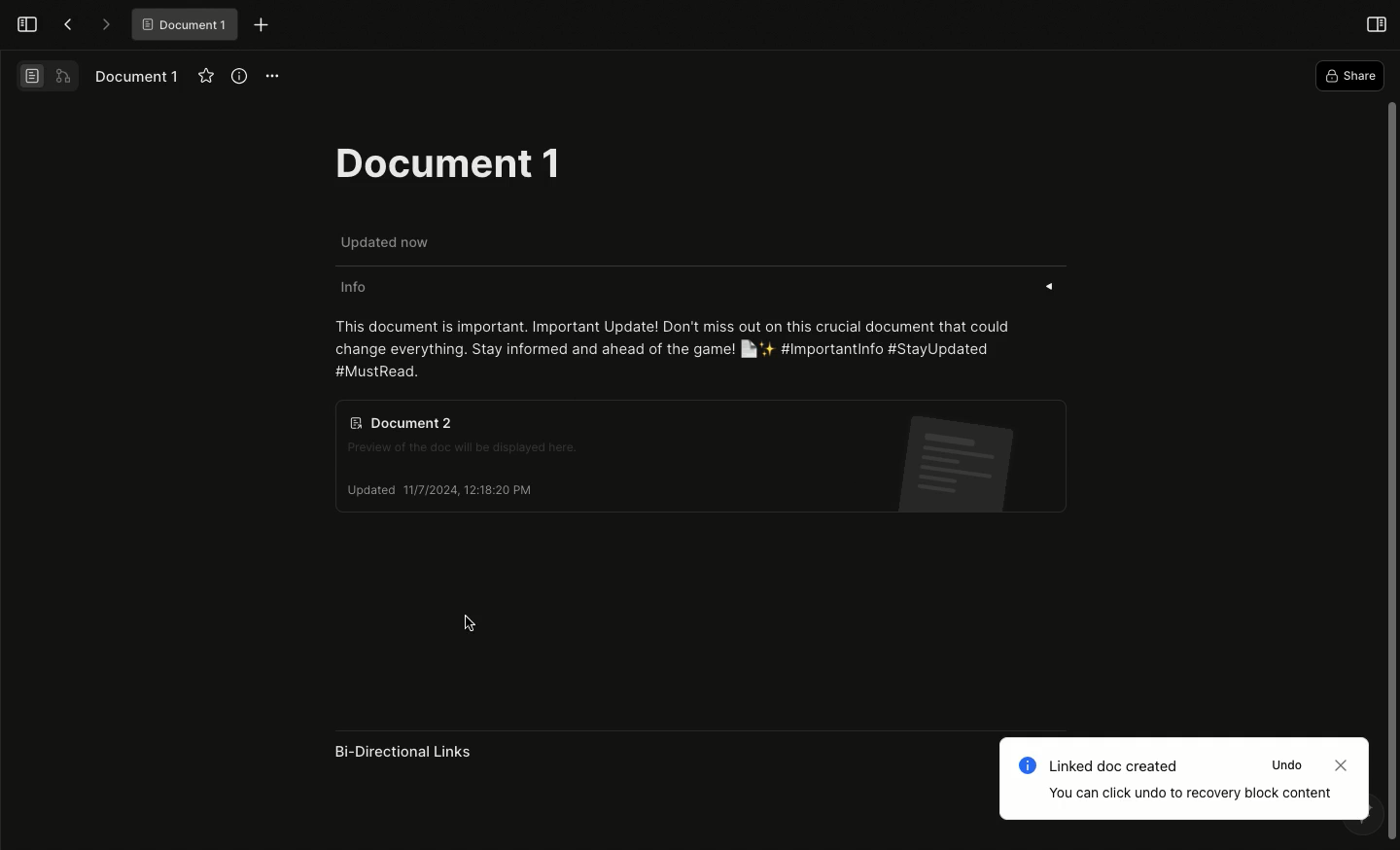 The image size is (1400, 850). What do you see at coordinates (717, 288) in the screenshot?
I see `Info «` at bounding box center [717, 288].